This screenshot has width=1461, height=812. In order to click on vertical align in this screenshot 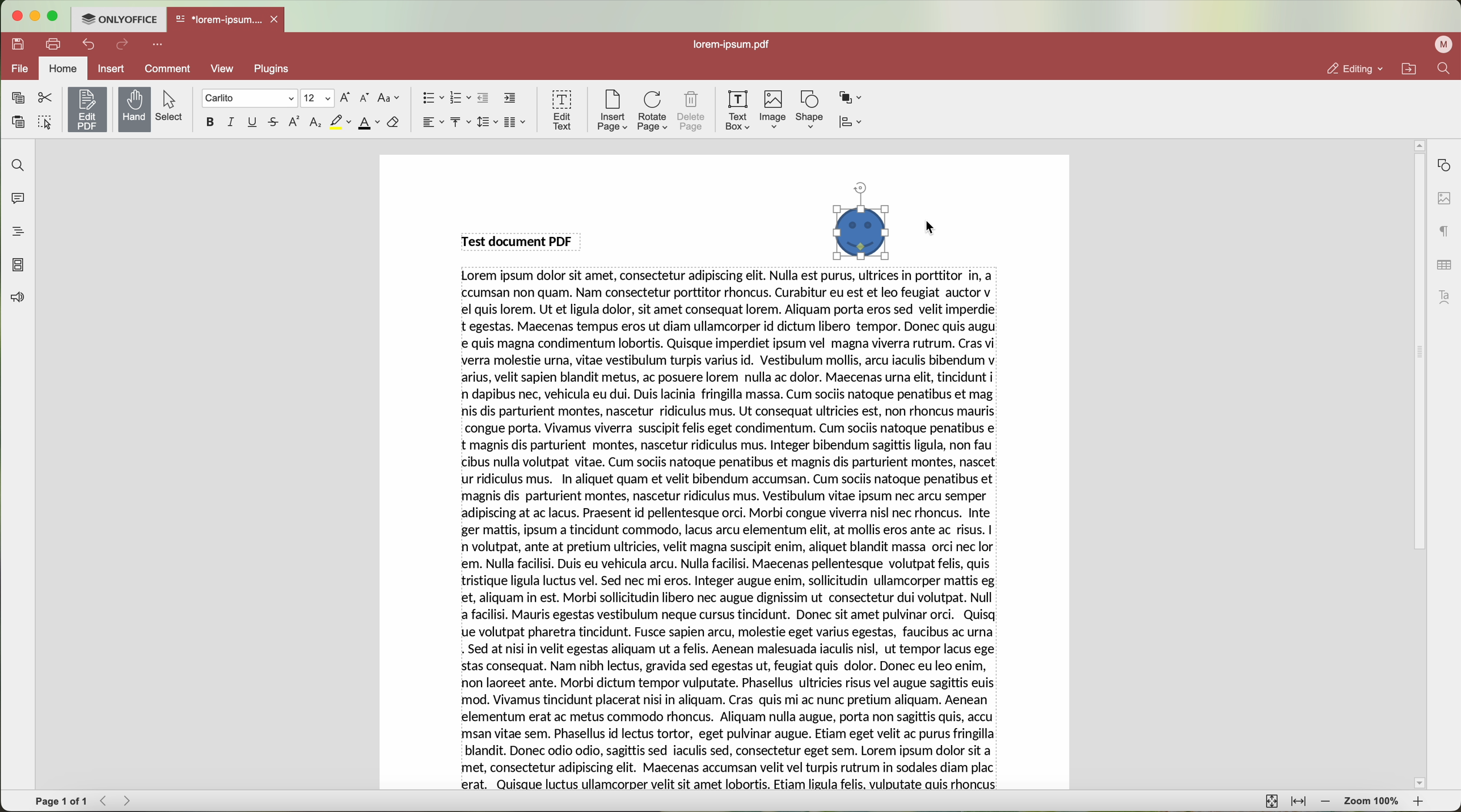, I will do `click(458, 122)`.